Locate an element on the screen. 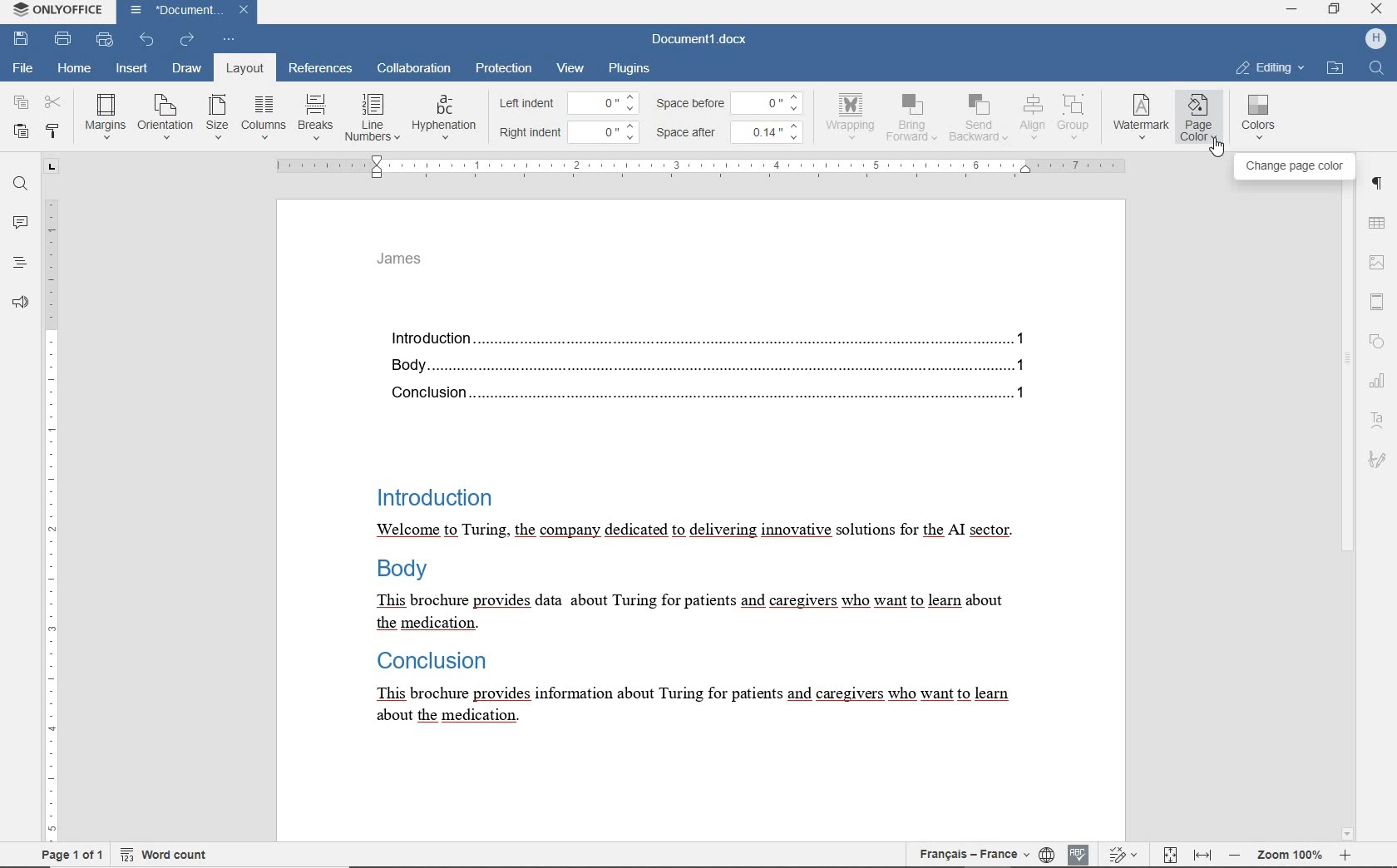 This screenshot has height=868, width=1397. orientation is located at coordinates (164, 116).